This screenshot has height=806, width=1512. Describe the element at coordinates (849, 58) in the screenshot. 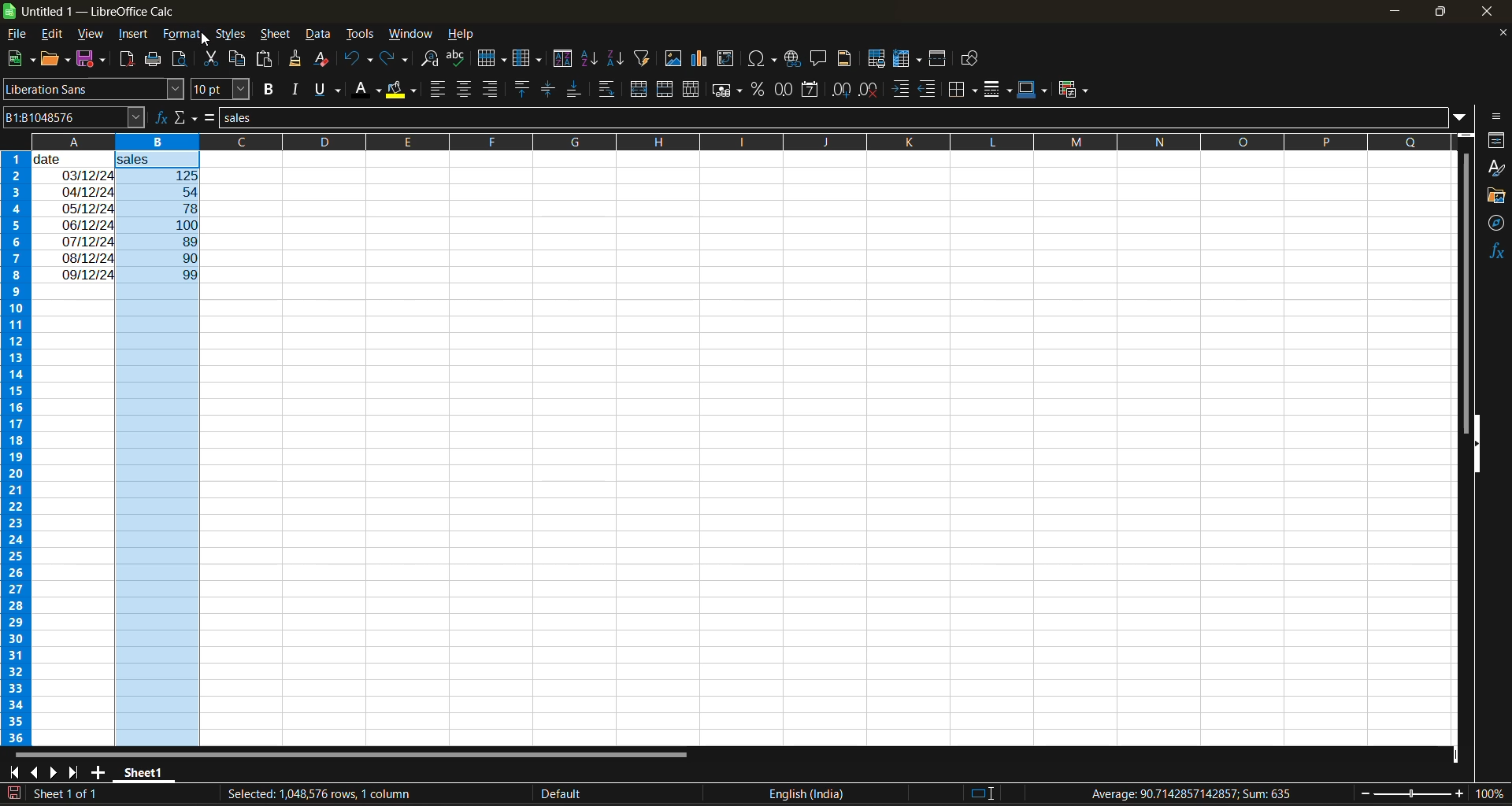

I see `headers and footers` at that location.